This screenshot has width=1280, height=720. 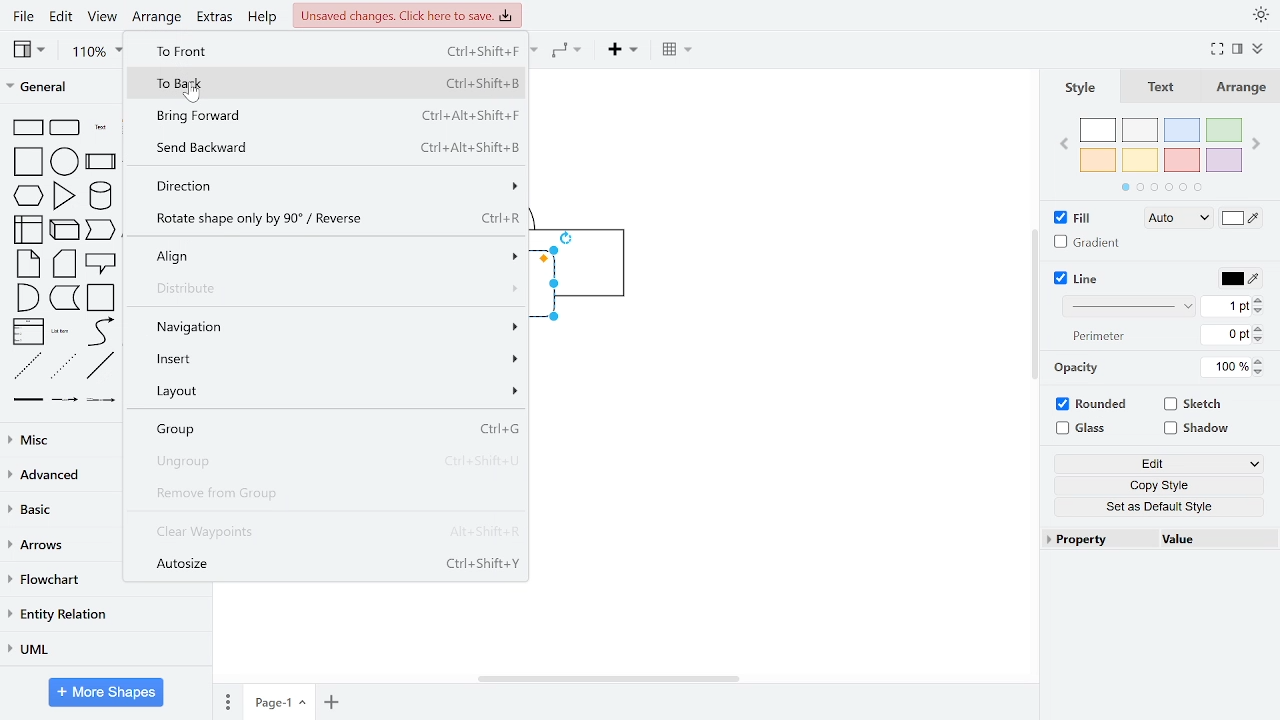 What do you see at coordinates (331, 220) in the screenshot?
I see `rotate shape only by 90 degree` at bounding box center [331, 220].